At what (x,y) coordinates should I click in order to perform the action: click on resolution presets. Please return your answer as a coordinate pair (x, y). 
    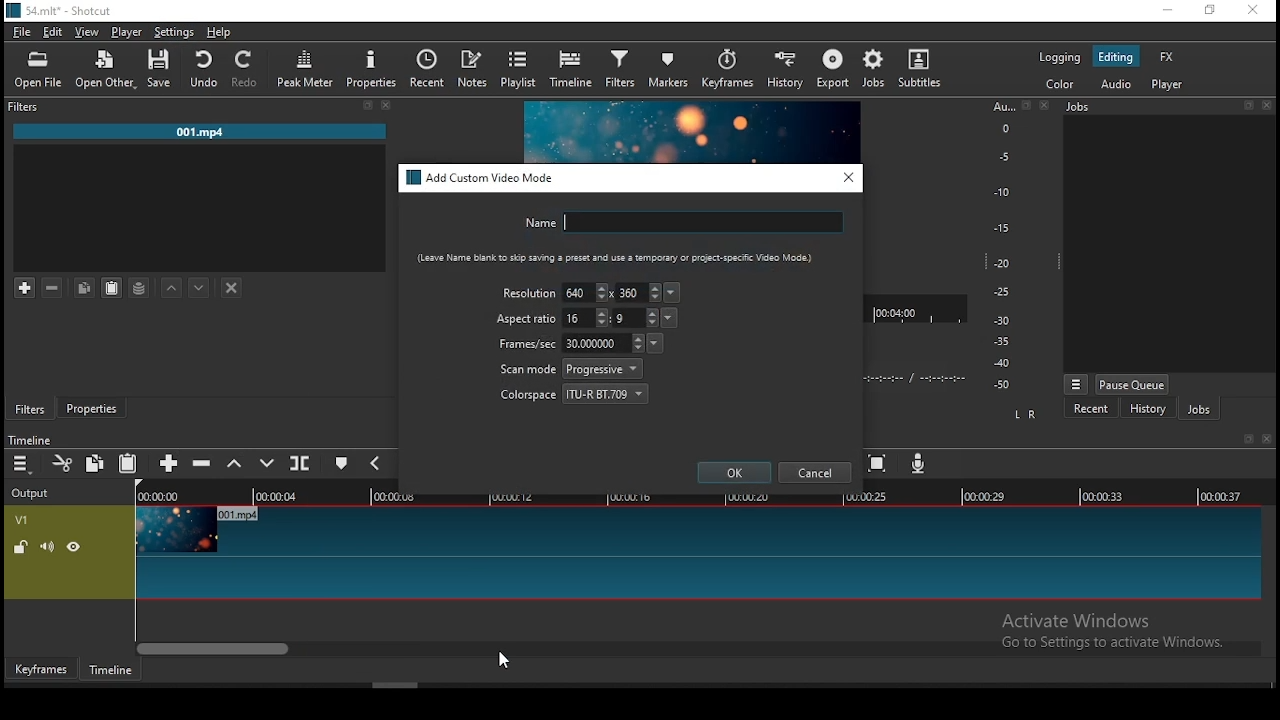
    Looking at the image, I should click on (674, 293).